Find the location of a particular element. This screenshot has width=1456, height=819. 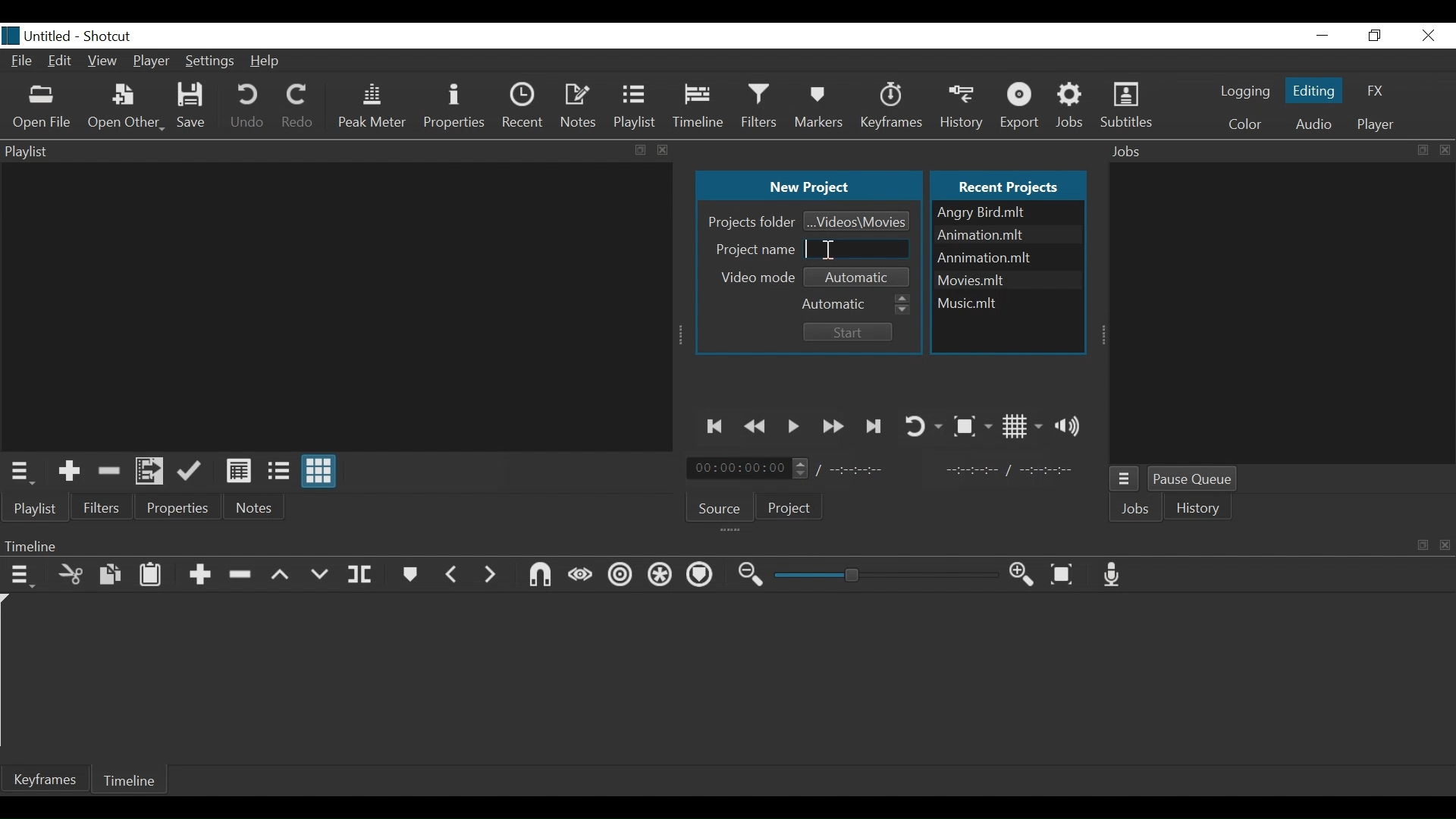

player is located at coordinates (1373, 124).